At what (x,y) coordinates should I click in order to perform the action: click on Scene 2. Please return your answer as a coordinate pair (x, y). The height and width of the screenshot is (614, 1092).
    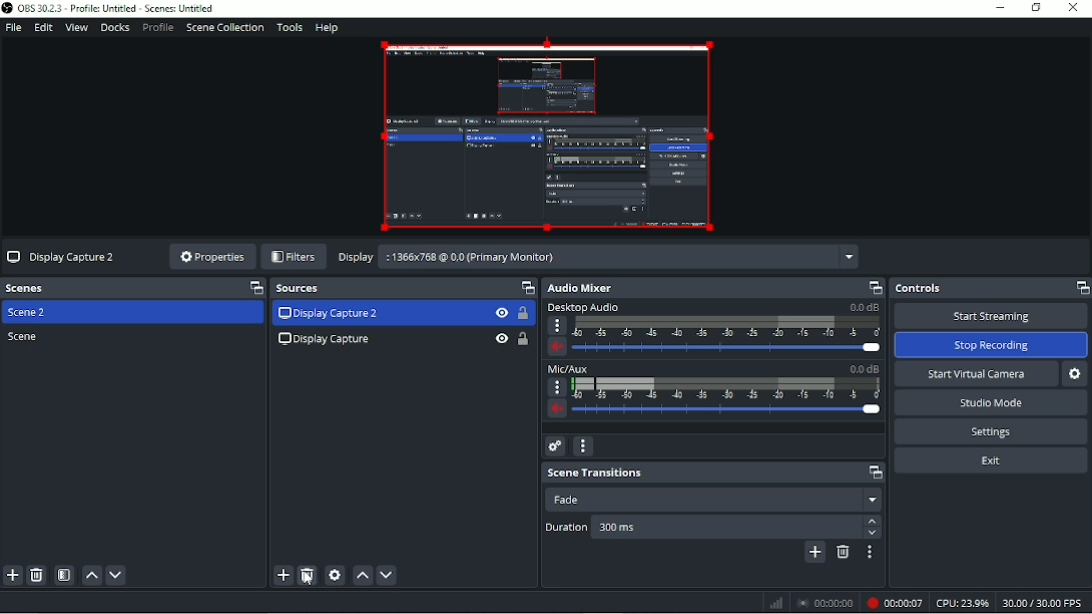
    Looking at the image, I should click on (31, 313).